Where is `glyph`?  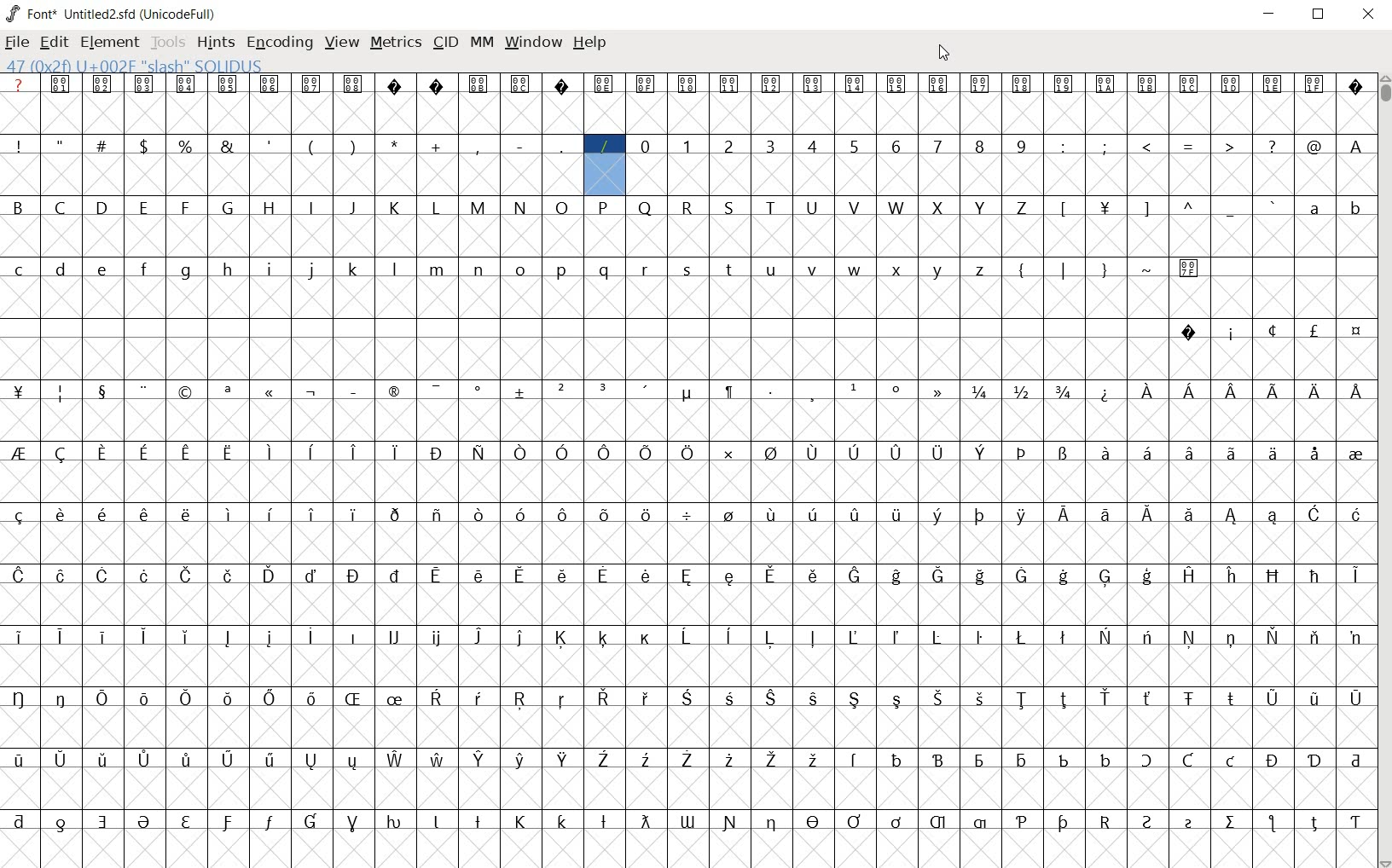 glyph is located at coordinates (769, 638).